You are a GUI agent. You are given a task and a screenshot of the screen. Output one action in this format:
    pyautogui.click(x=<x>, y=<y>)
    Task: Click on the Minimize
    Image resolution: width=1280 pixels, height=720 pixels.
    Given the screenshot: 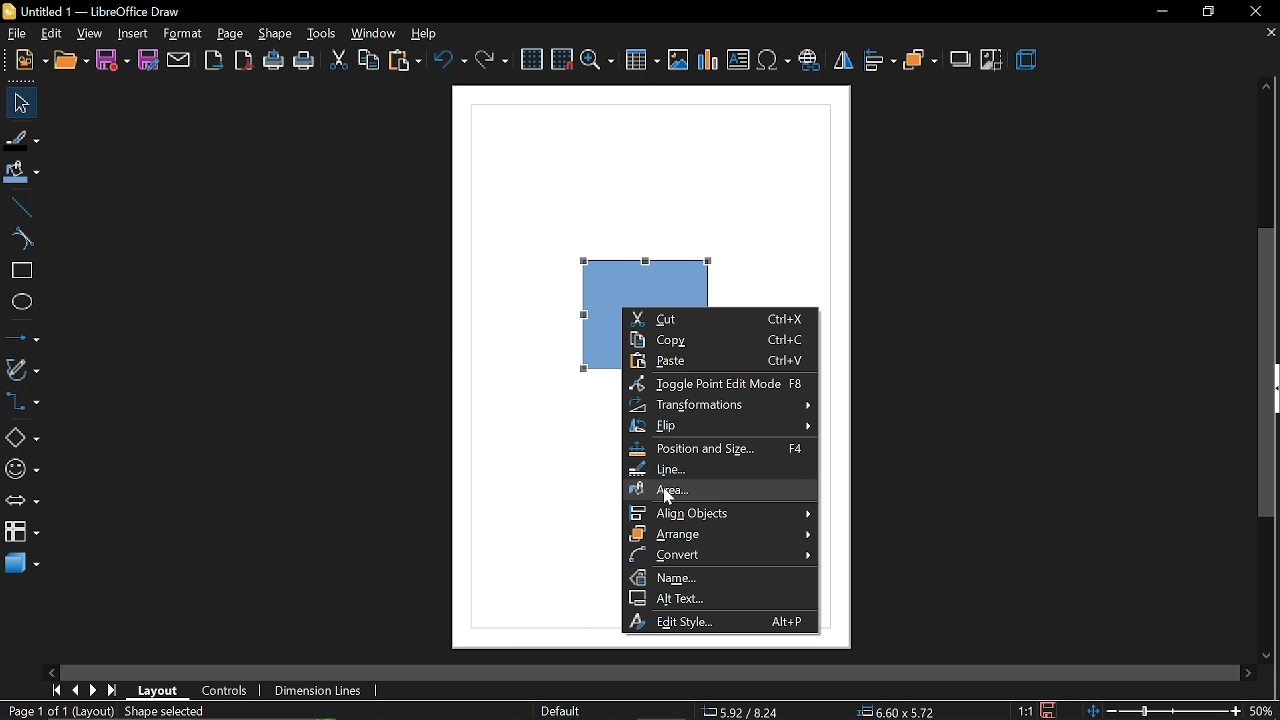 What is the action you would take?
    pyautogui.click(x=1159, y=11)
    